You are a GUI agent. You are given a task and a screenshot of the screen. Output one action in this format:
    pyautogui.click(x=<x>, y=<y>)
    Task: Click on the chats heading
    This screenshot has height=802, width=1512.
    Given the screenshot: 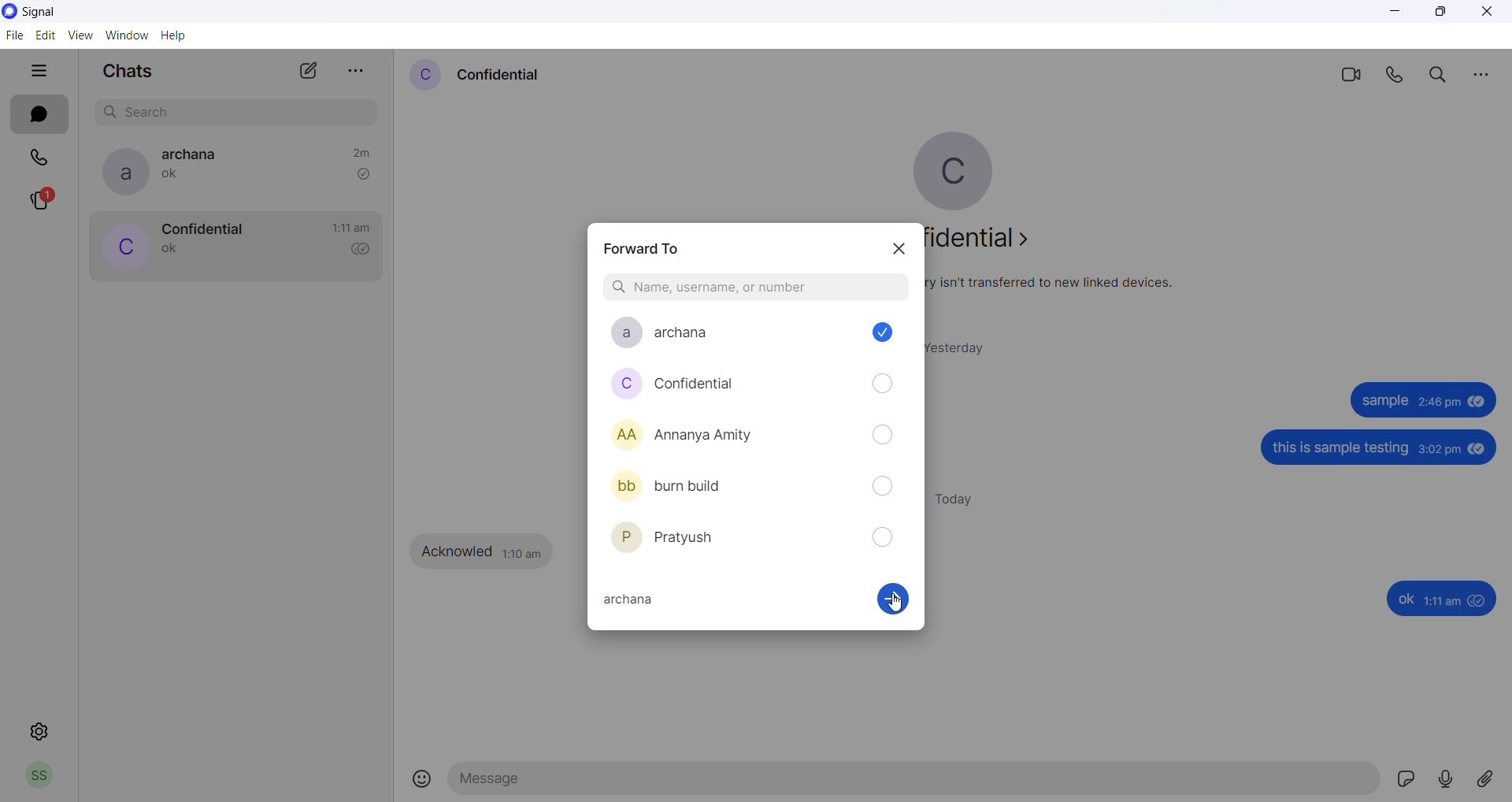 What is the action you would take?
    pyautogui.click(x=127, y=74)
    